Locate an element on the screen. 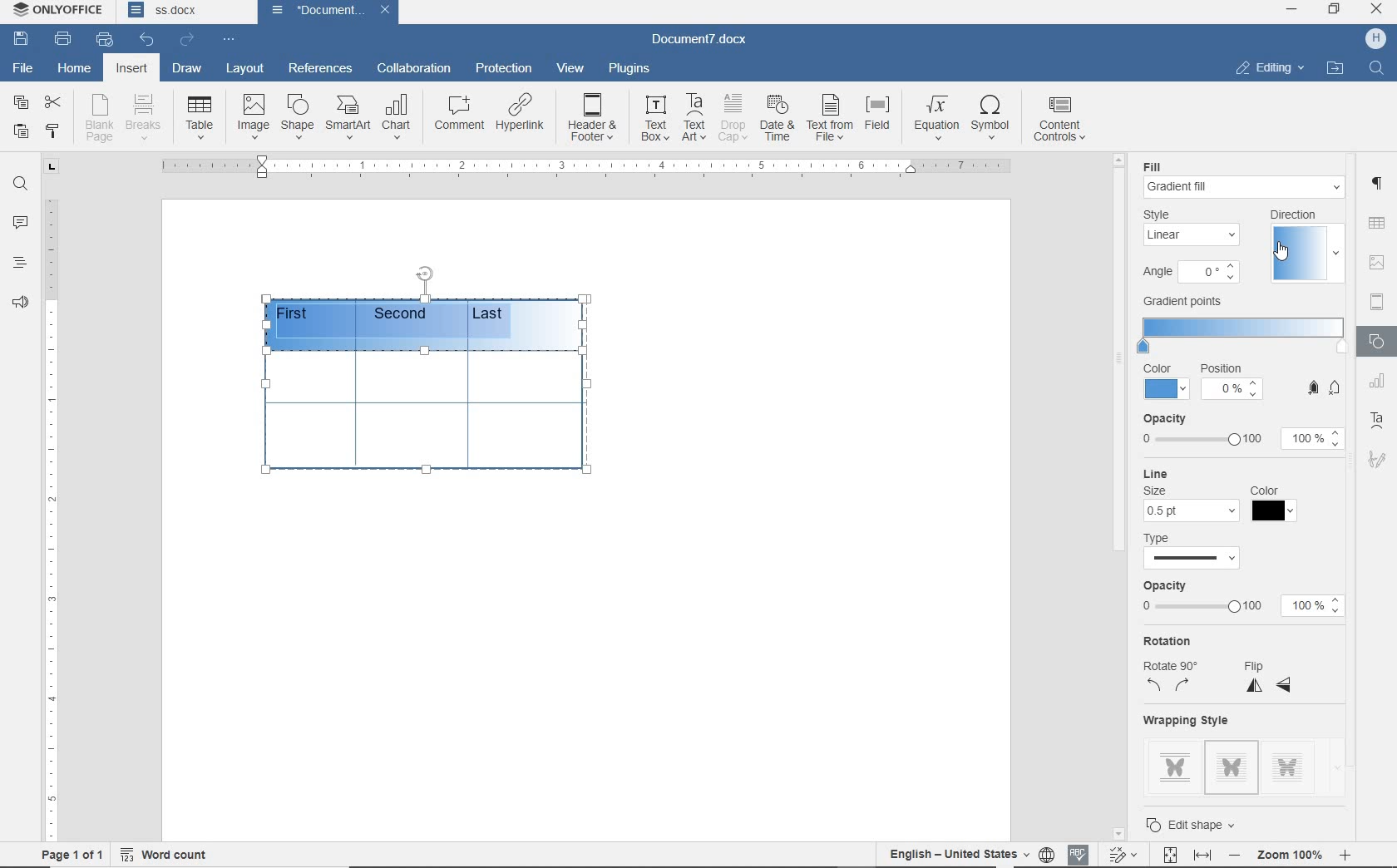 This screenshot has width=1397, height=868. feedback & suppory is located at coordinates (21, 305).